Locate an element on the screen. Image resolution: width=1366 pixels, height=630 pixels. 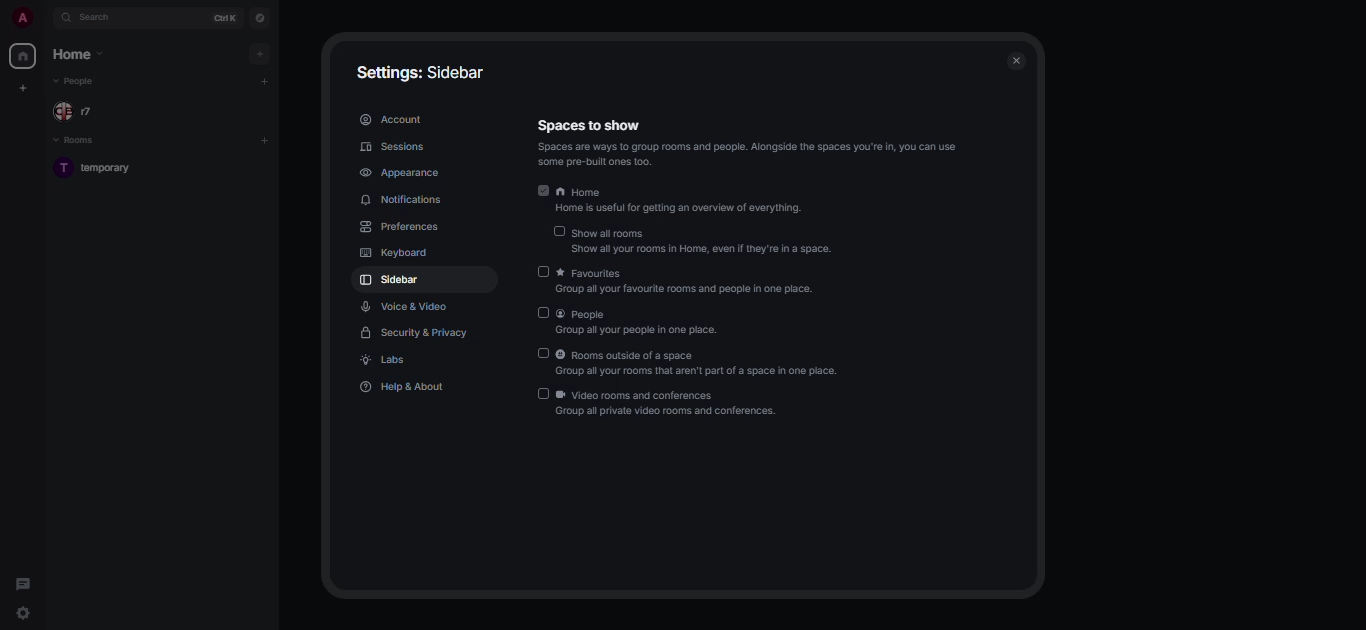
search is located at coordinates (100, 18).